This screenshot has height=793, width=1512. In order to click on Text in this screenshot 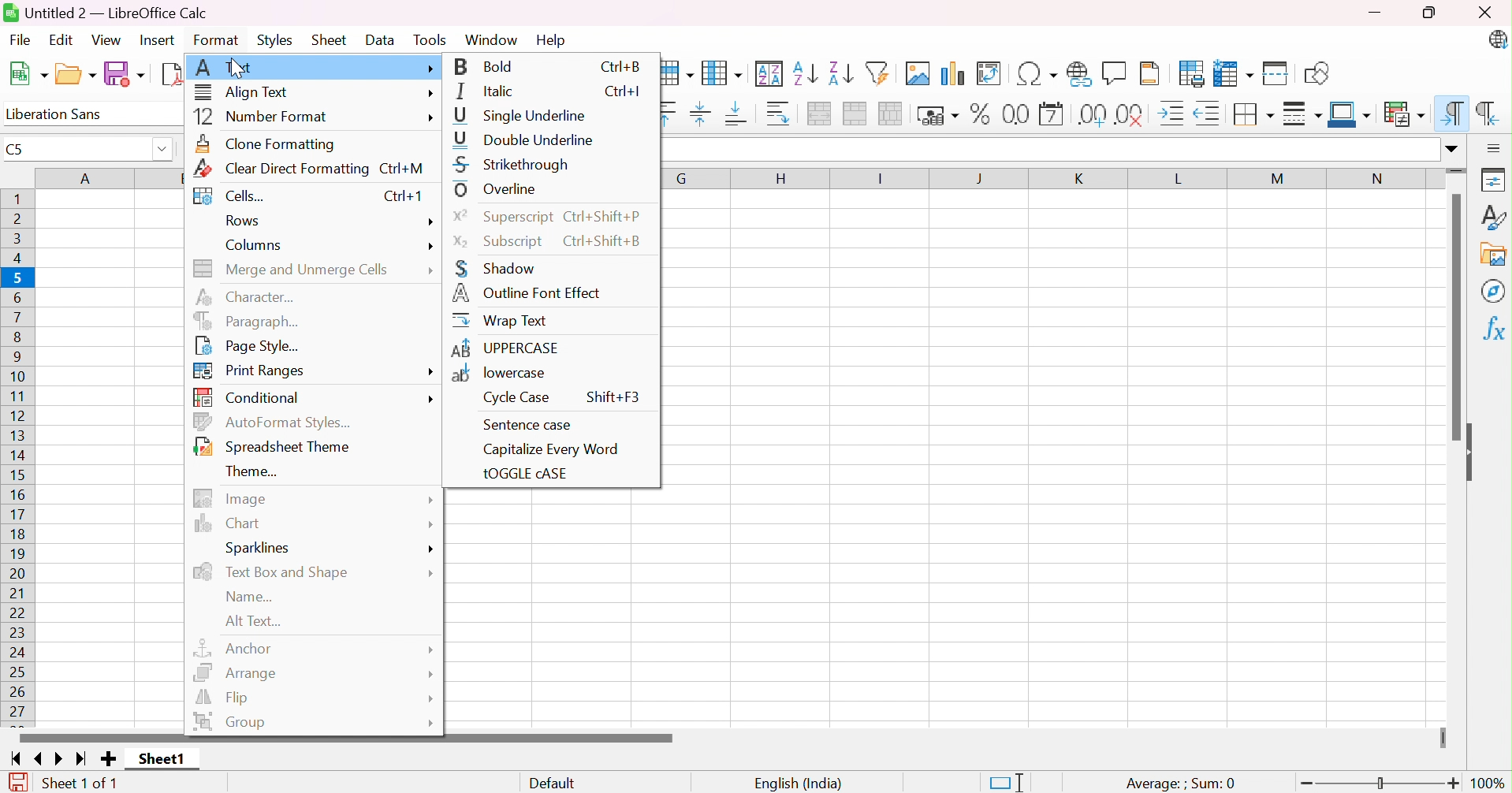, I will do `click(224, 67)`.